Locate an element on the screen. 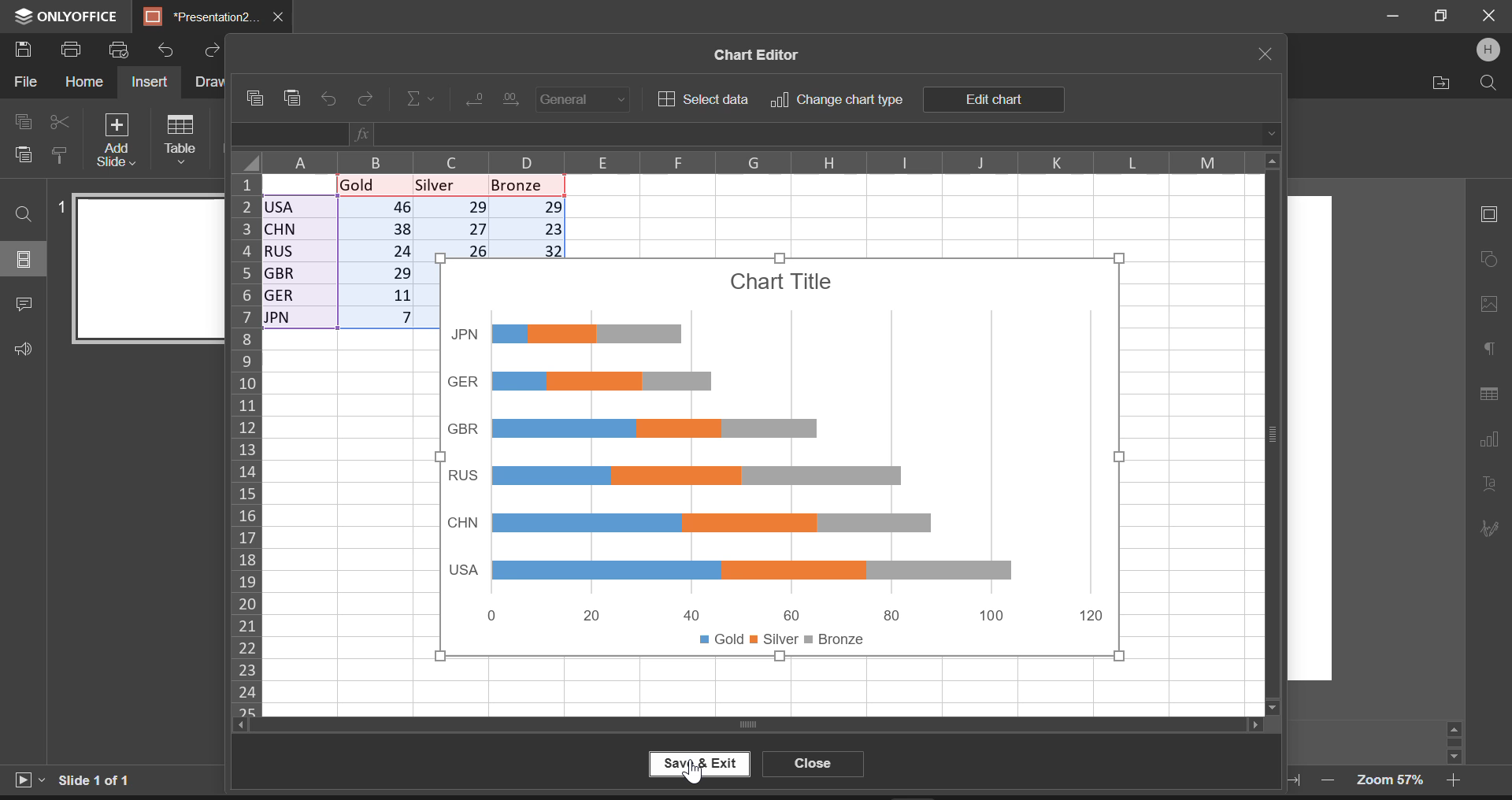  Comments is located at coordinates (24, 306).